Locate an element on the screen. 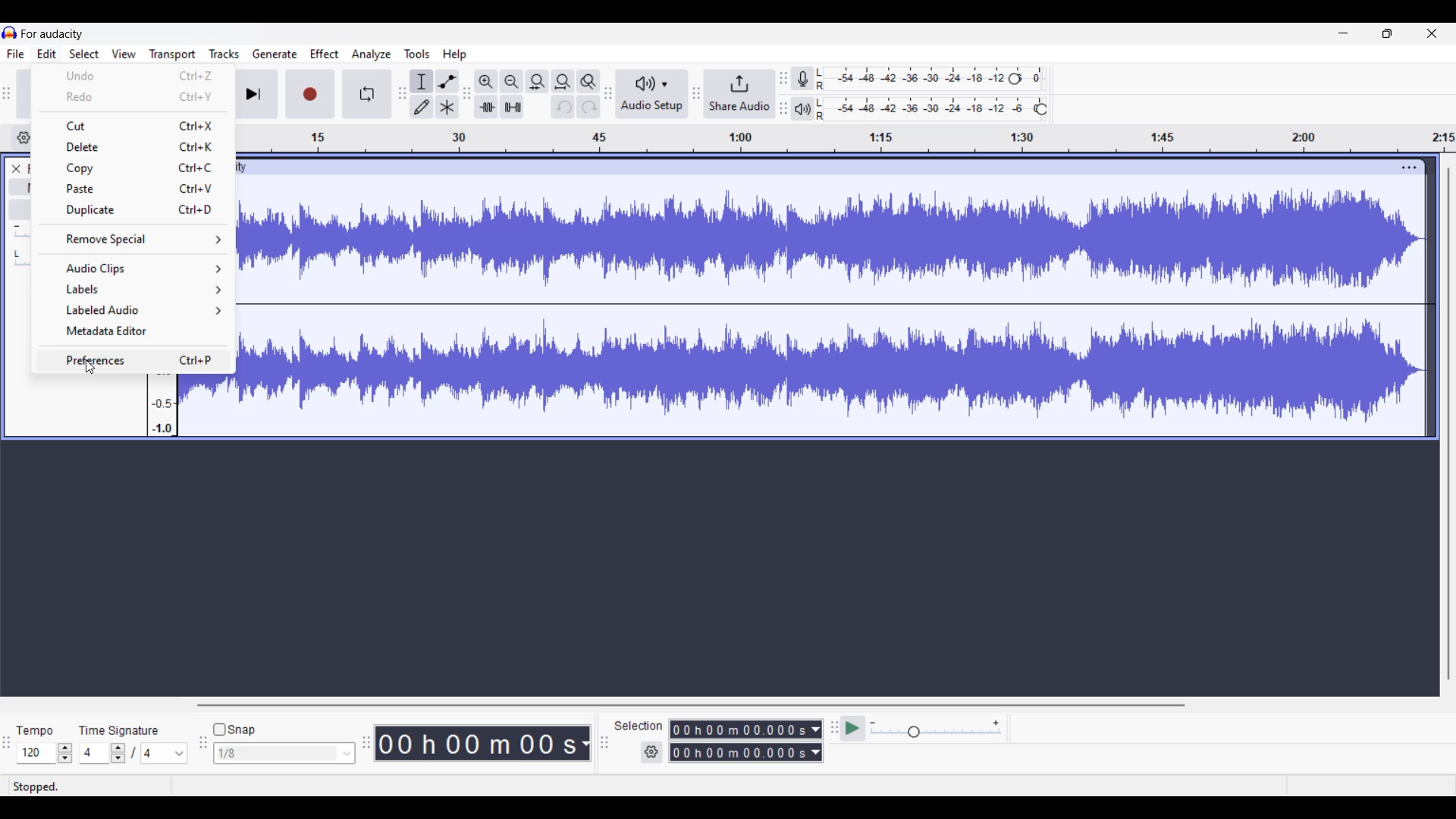 This screenshot has height=819, width=1456. Track menu  is located at coordinates (224, 54).